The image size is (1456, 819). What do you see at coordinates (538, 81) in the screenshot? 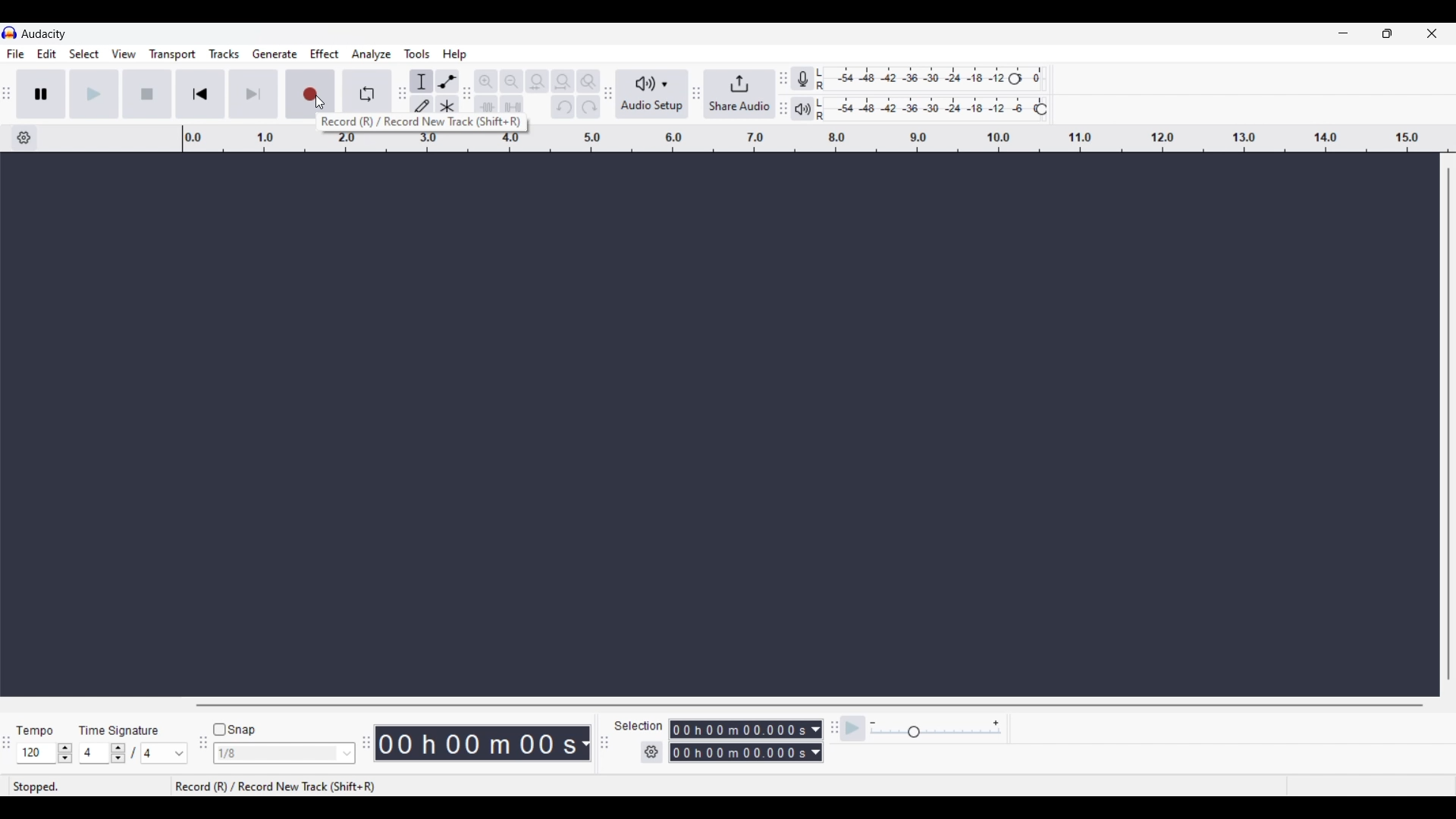
I see `Fit selection to width` at bounding box center [538, 81].